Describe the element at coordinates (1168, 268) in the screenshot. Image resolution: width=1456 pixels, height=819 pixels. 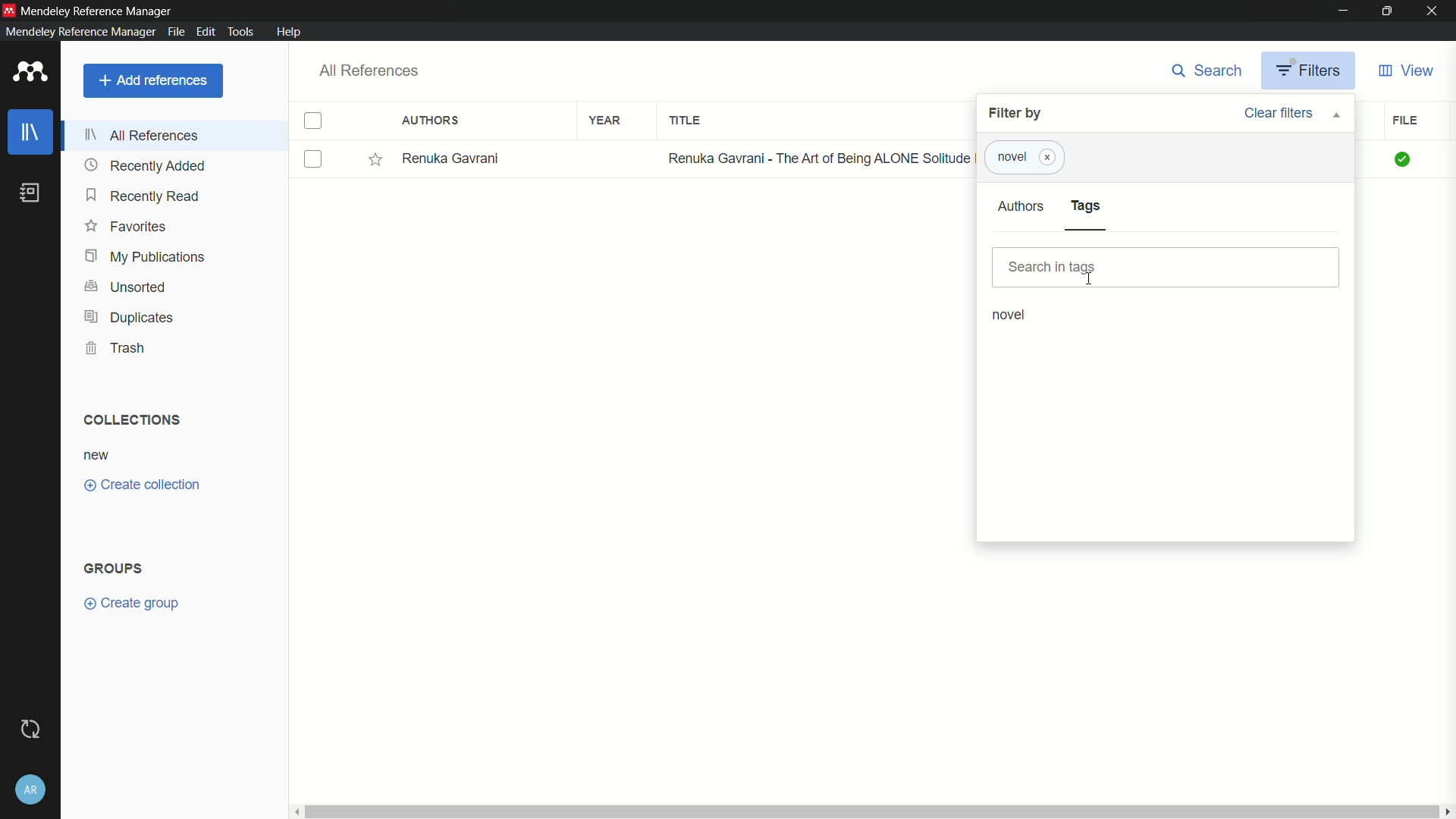
I see `search in tags` at that location.